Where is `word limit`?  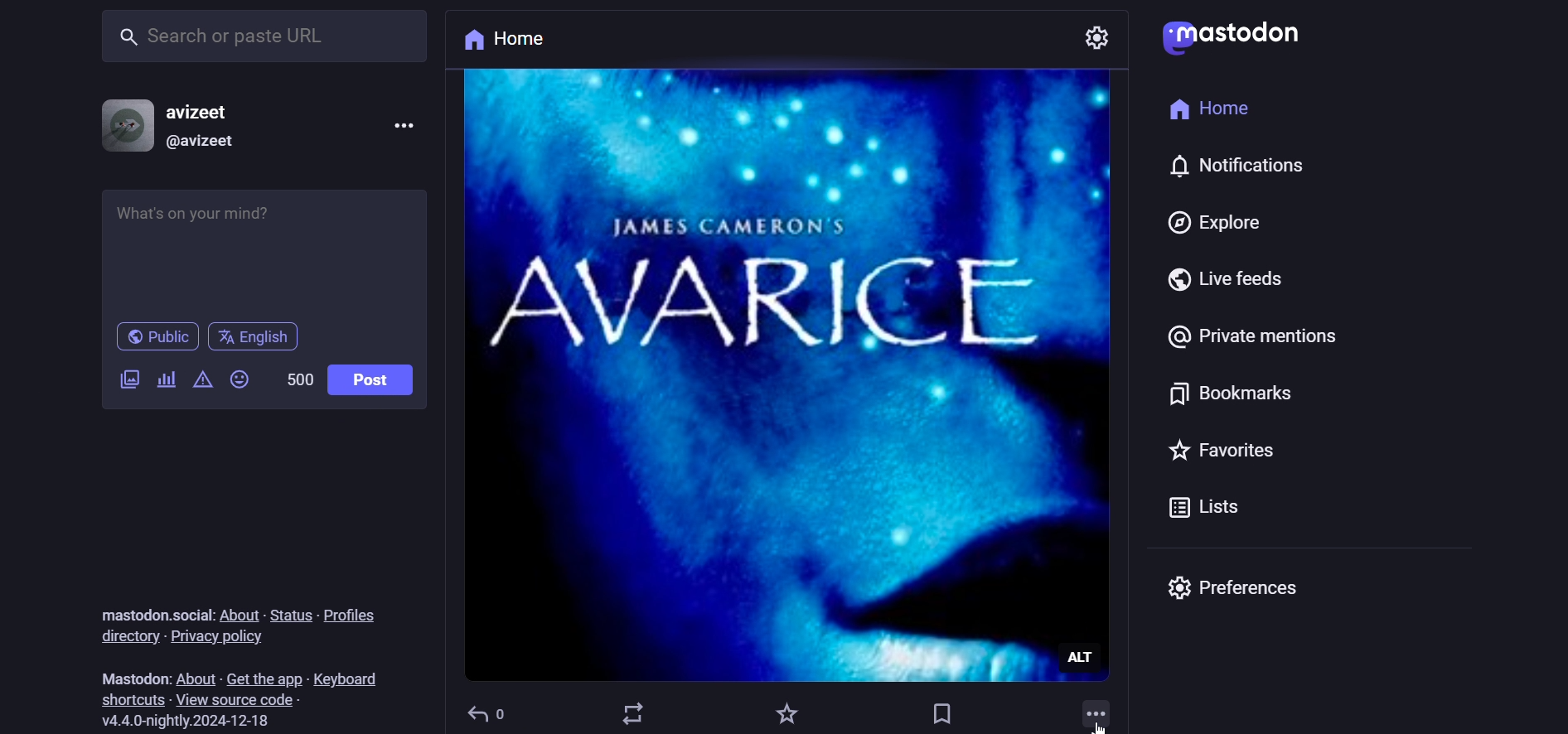 word limit is located at coordinates (300, 380).